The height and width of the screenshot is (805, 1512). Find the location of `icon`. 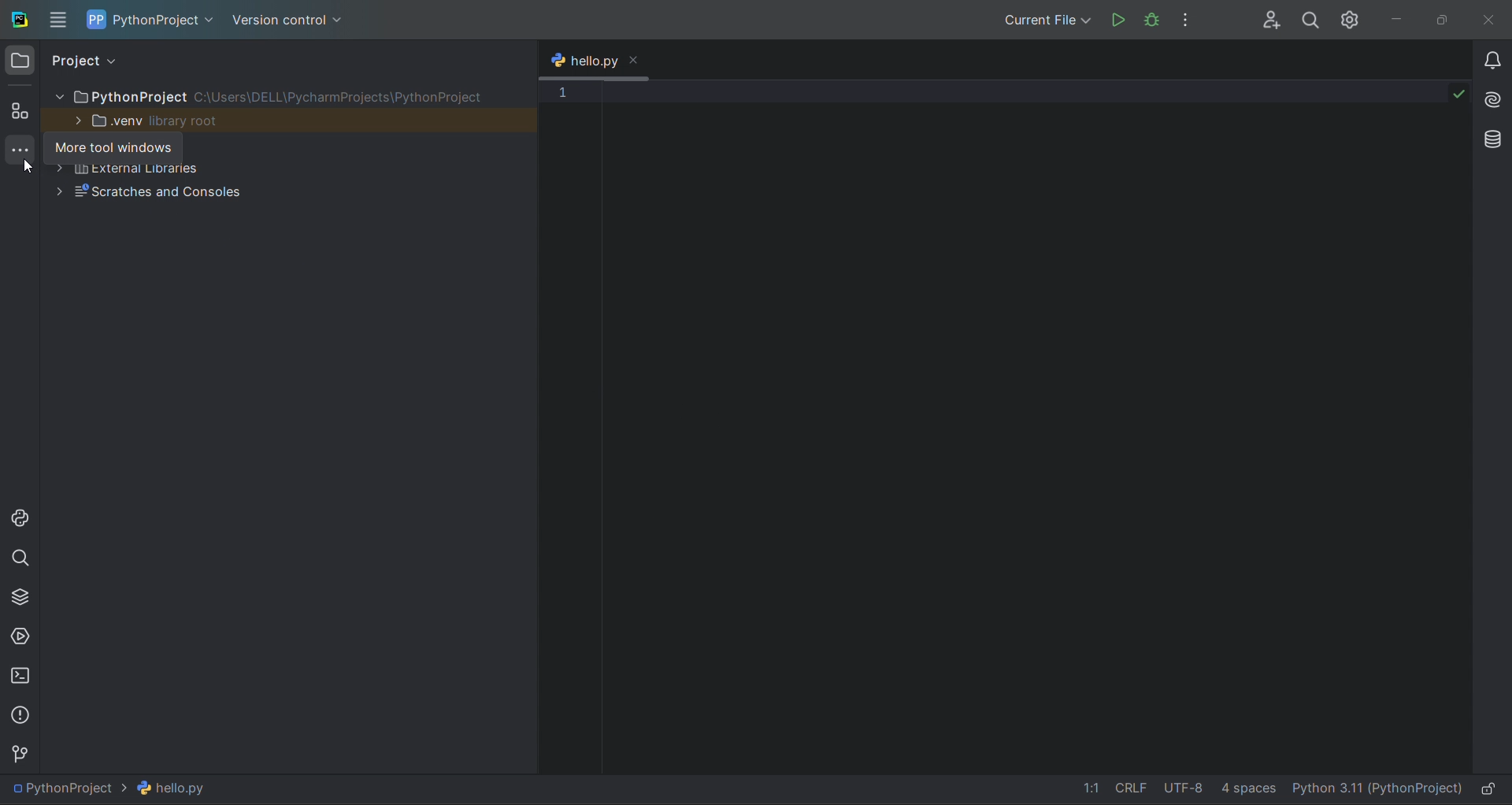

icon is located at coordinates (96, 19).